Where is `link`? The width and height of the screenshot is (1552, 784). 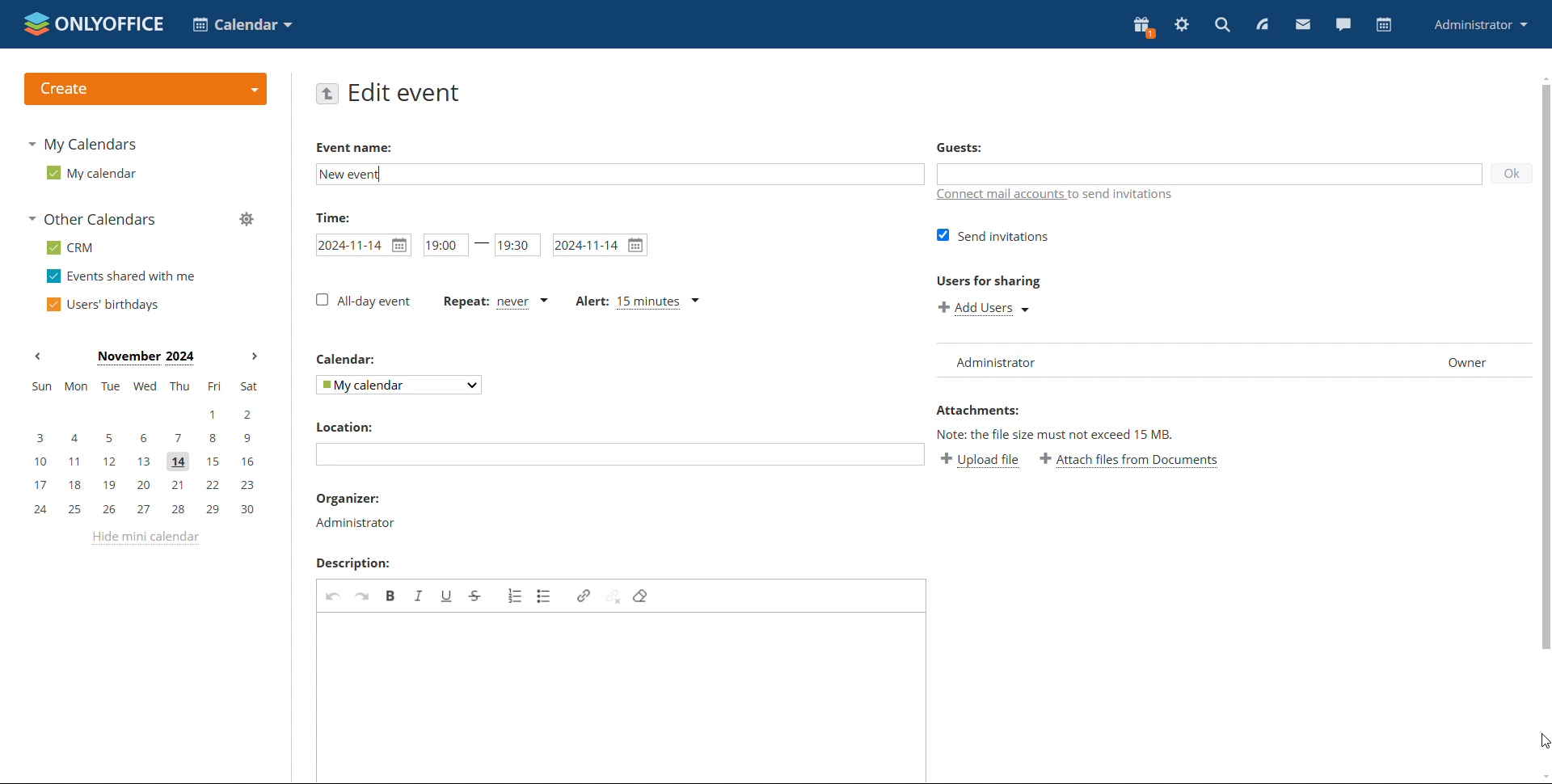 link is located at coordinates (584, 595).